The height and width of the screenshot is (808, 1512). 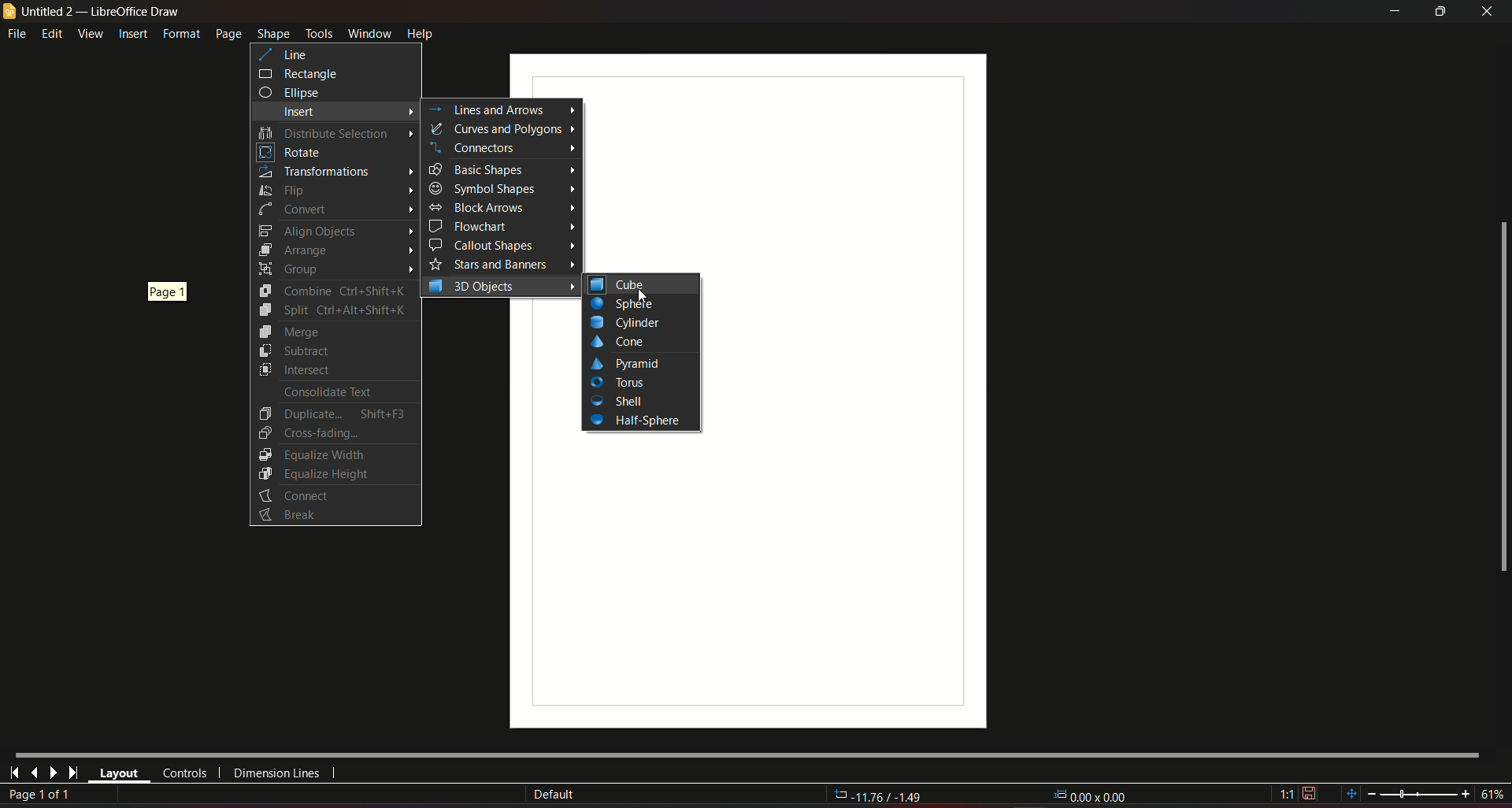 I want to click on ellipse, so click(x=292, y=92).